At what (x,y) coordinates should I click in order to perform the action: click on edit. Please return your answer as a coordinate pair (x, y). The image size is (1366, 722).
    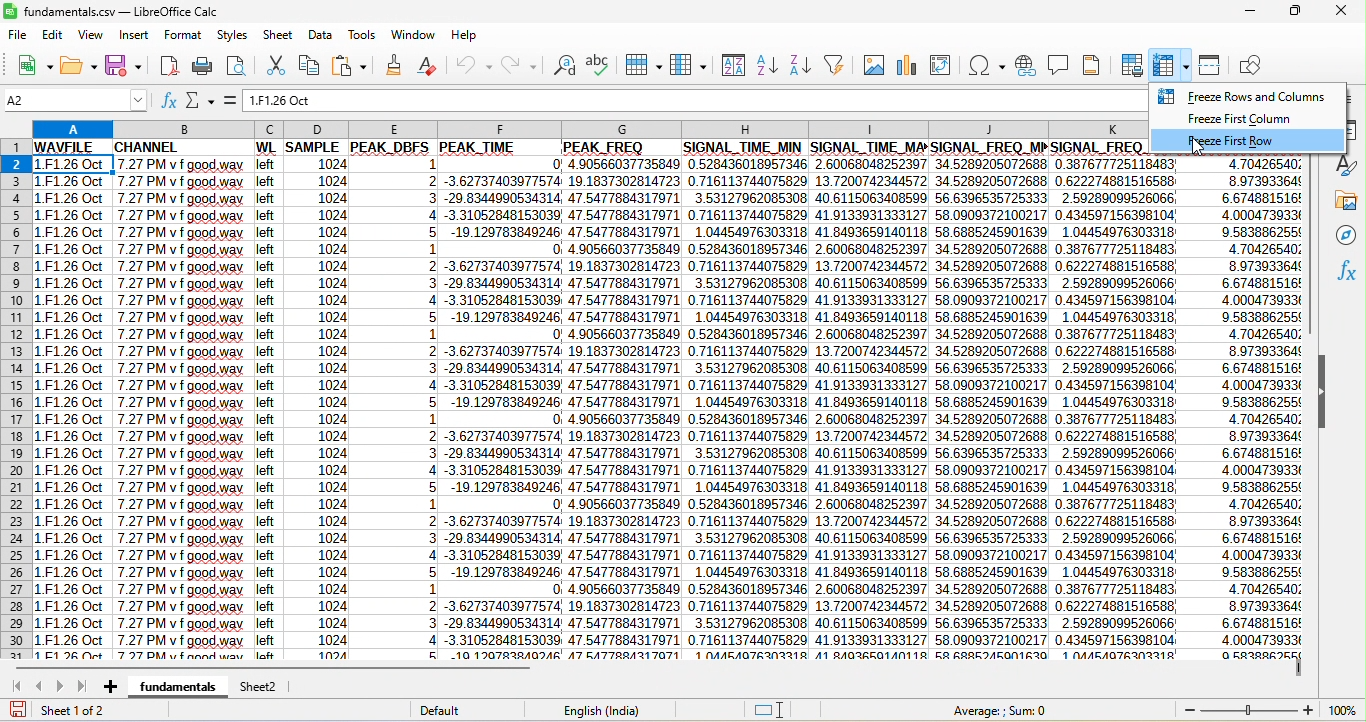
    Looking at the image, I should click on (56, 36).